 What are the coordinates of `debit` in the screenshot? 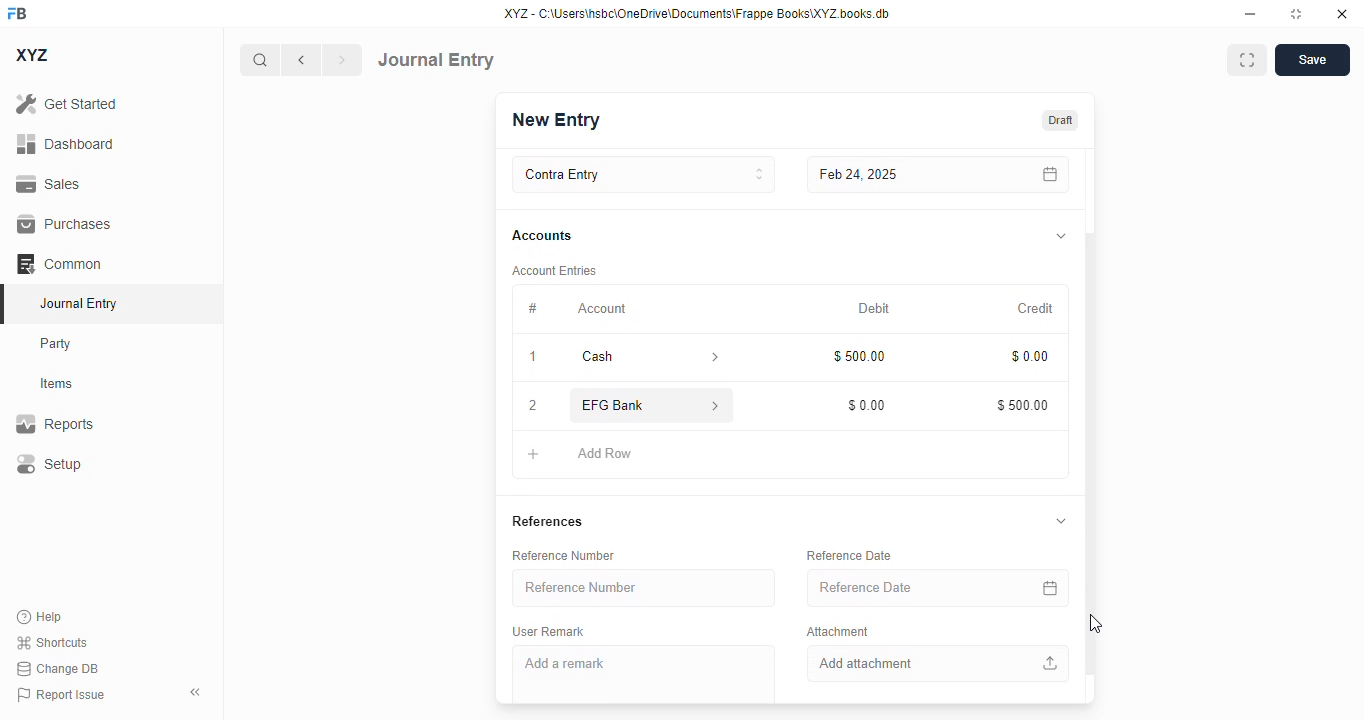 It's located at (873, 309).